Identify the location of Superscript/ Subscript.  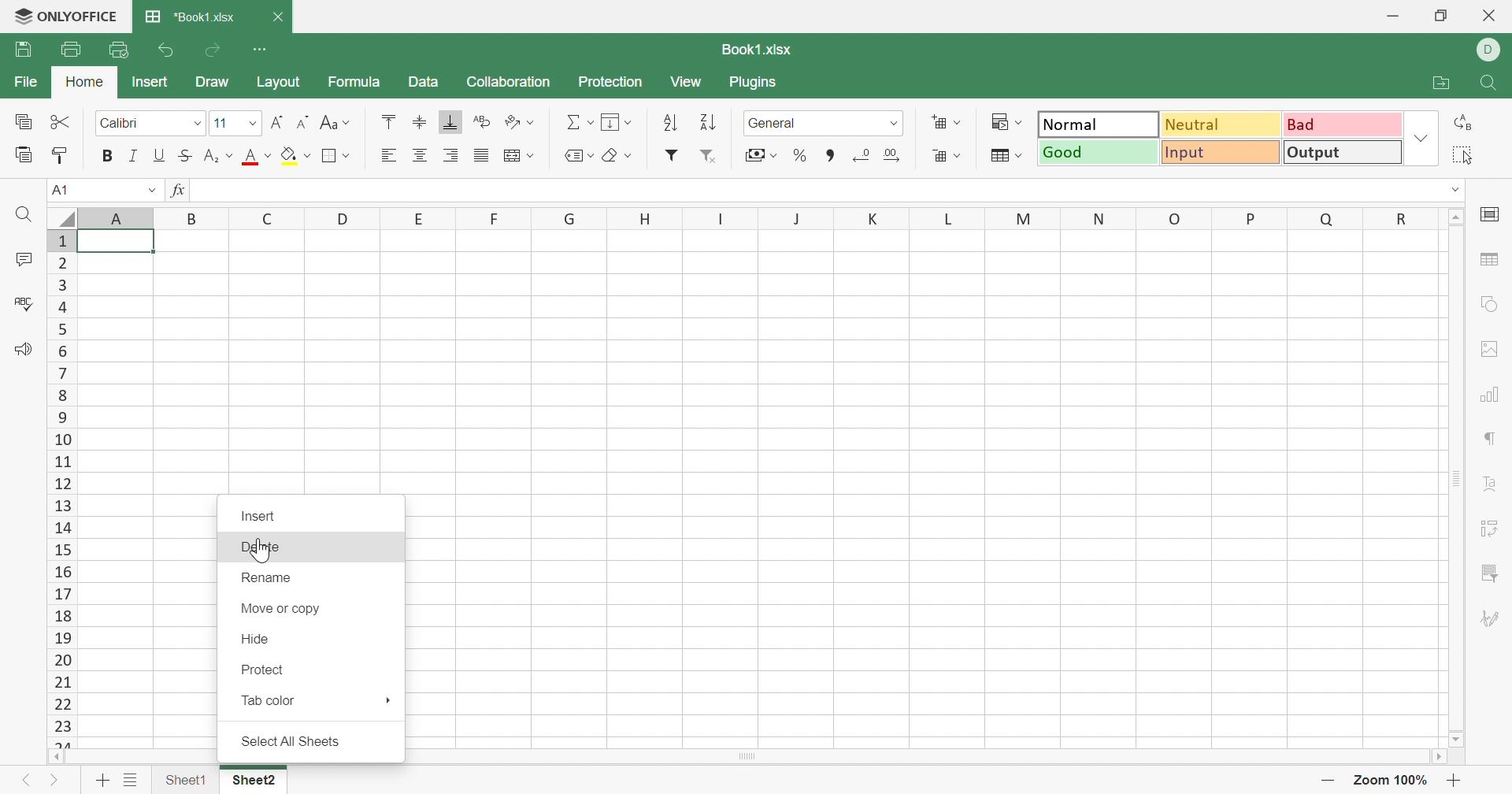
(211, 156).